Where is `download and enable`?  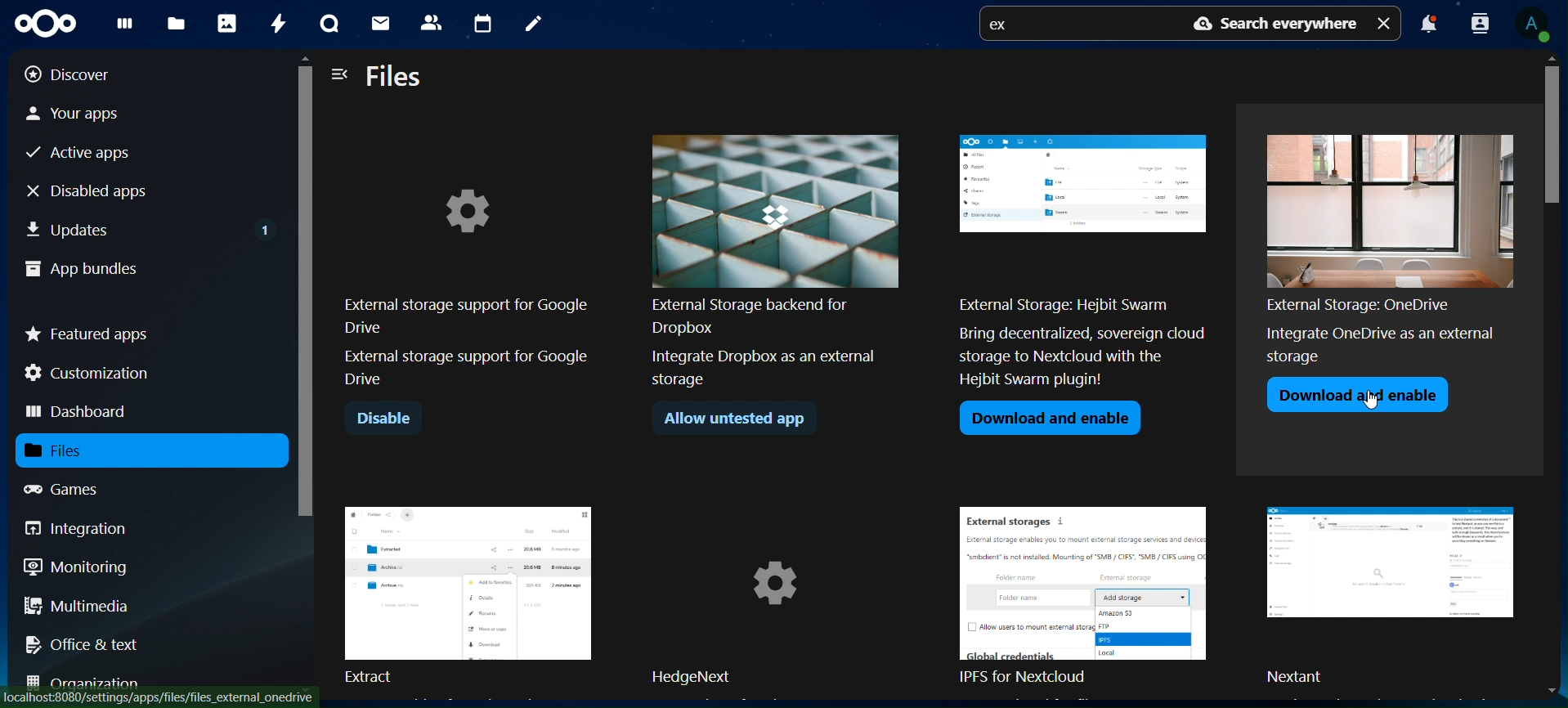
download and enable is located at coordinates (1357, 393).